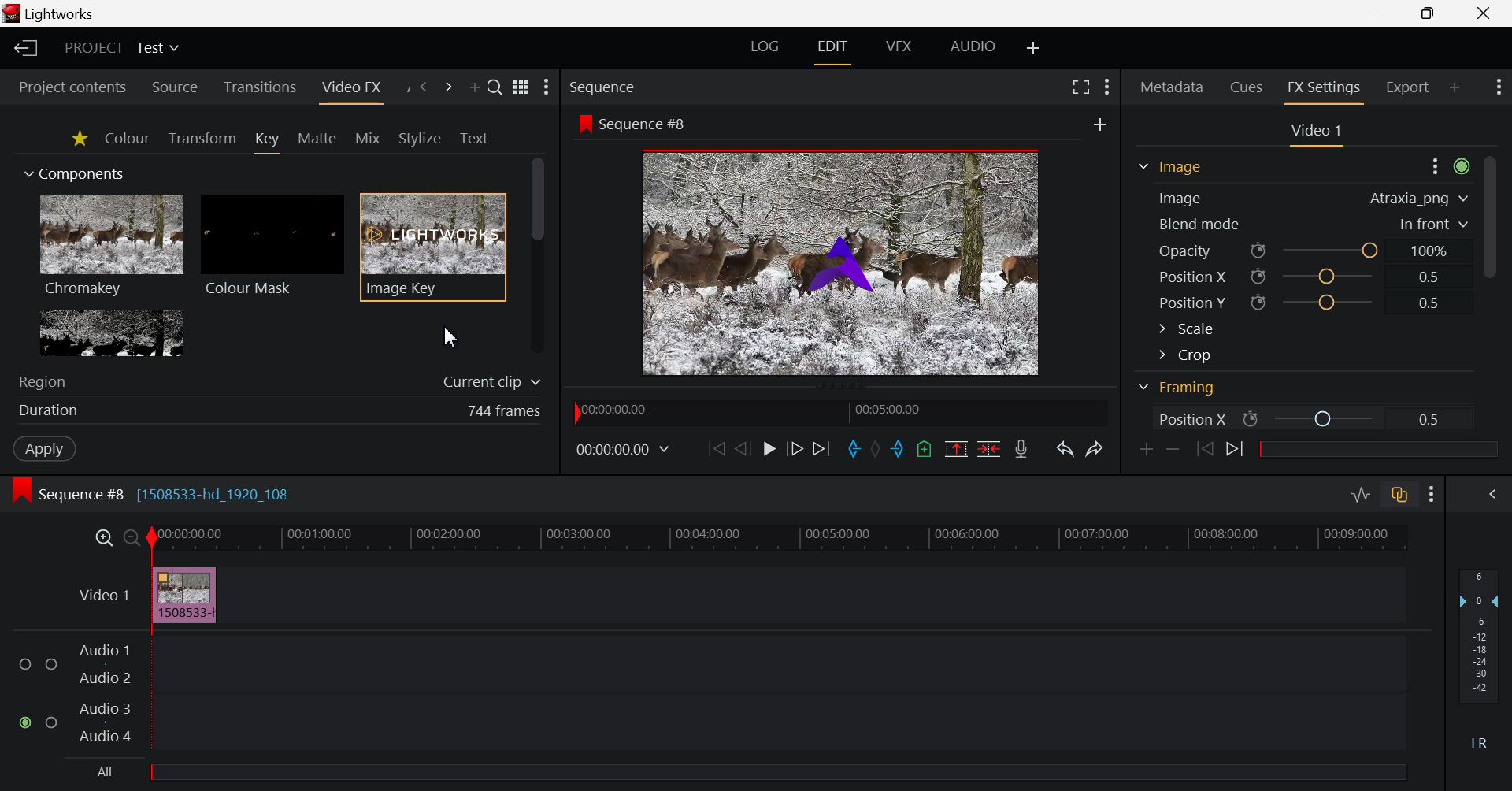  I want to click on 744 frames, so click(505, 410).